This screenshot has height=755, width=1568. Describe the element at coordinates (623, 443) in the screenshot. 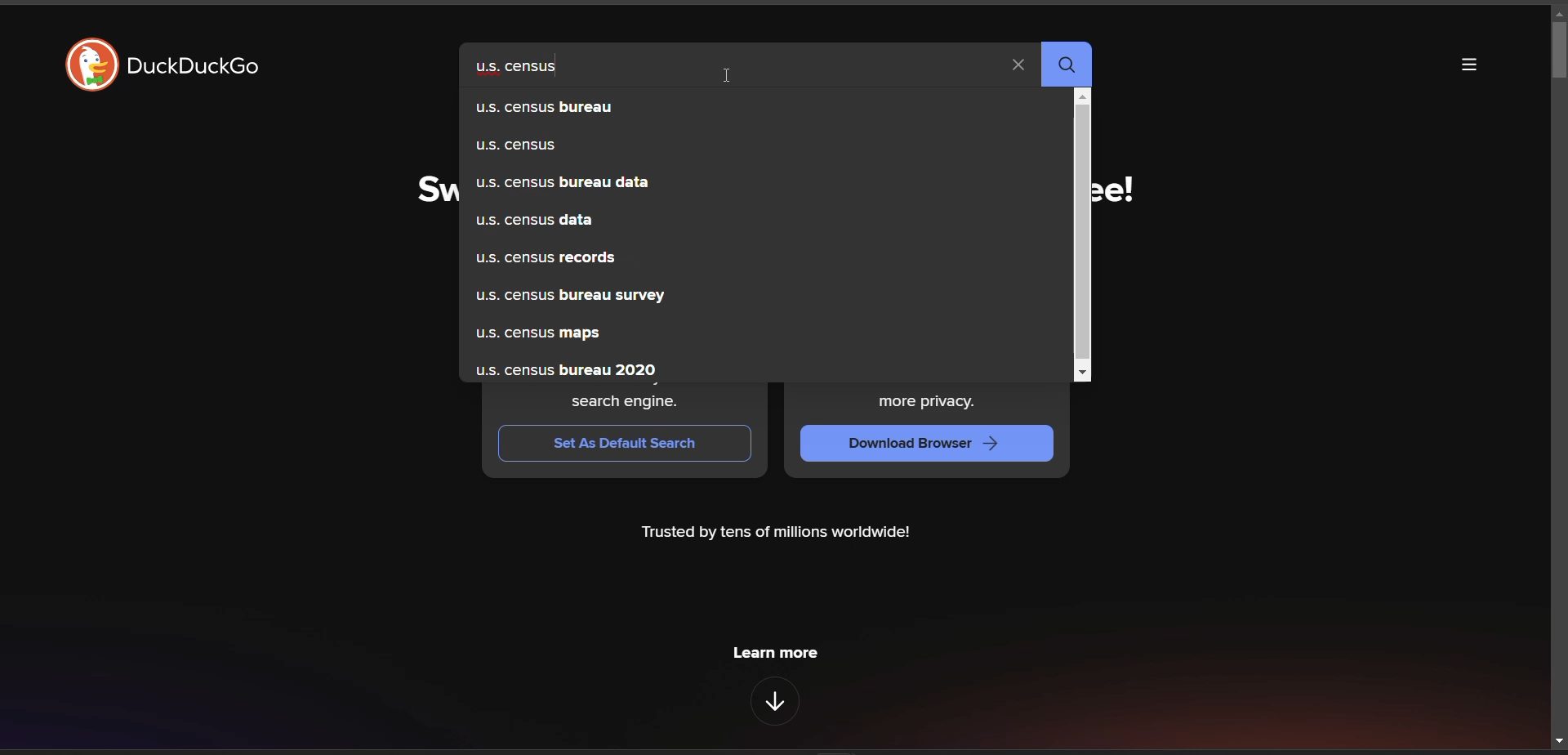

I see `Set As Default Search` at that location.